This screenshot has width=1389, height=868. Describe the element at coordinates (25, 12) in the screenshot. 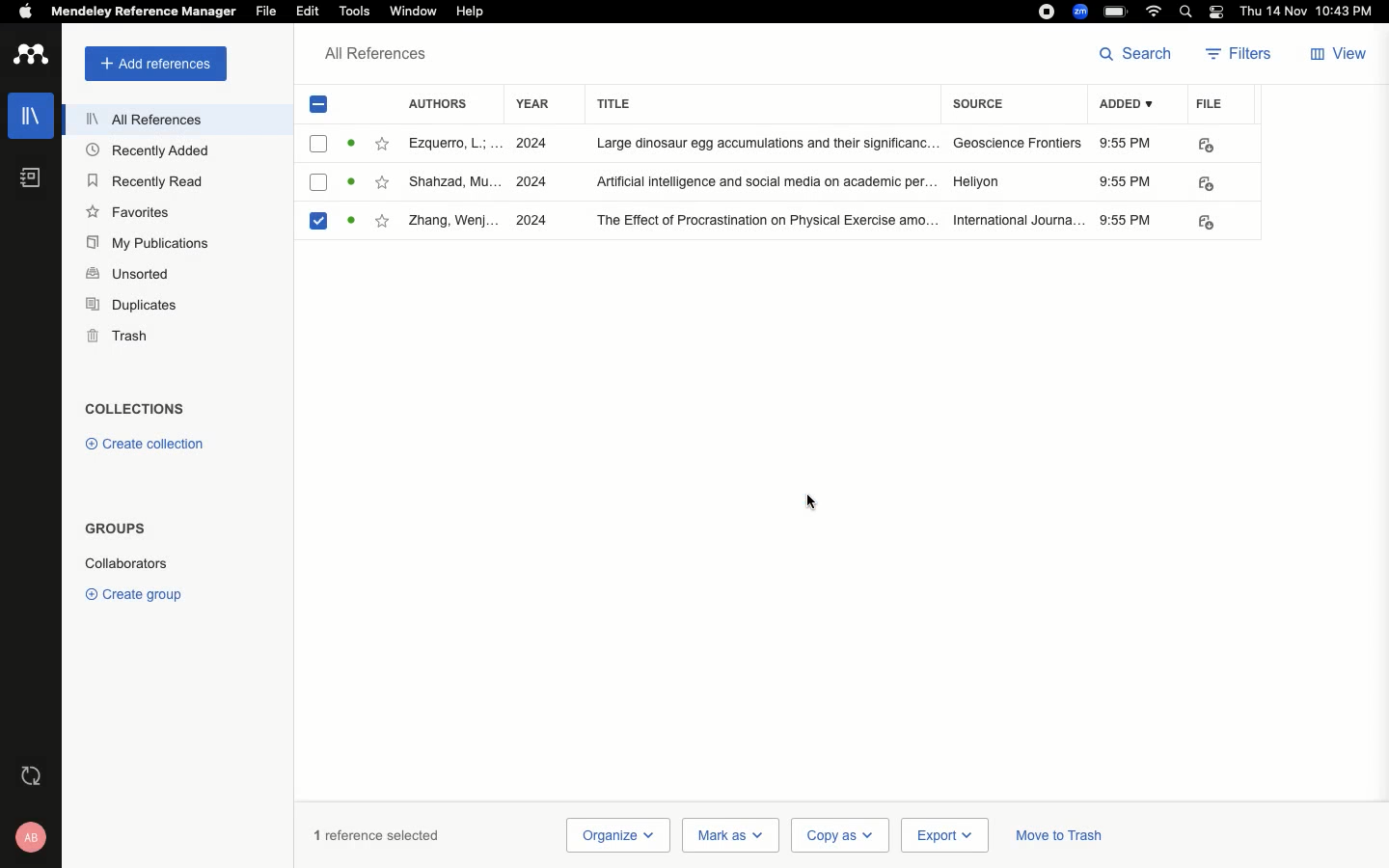

I see `Apple logo` at that location.